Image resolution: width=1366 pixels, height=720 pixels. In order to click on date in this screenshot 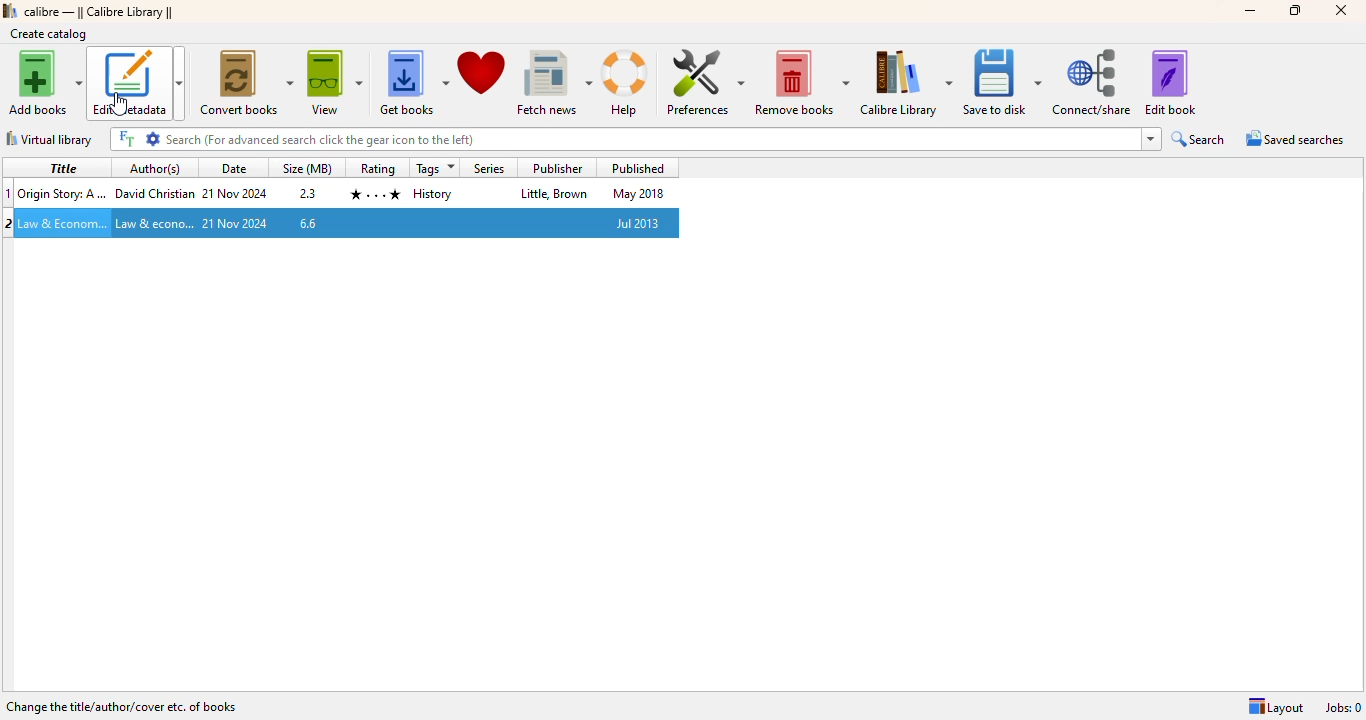, I will do `click(236, 224)`.